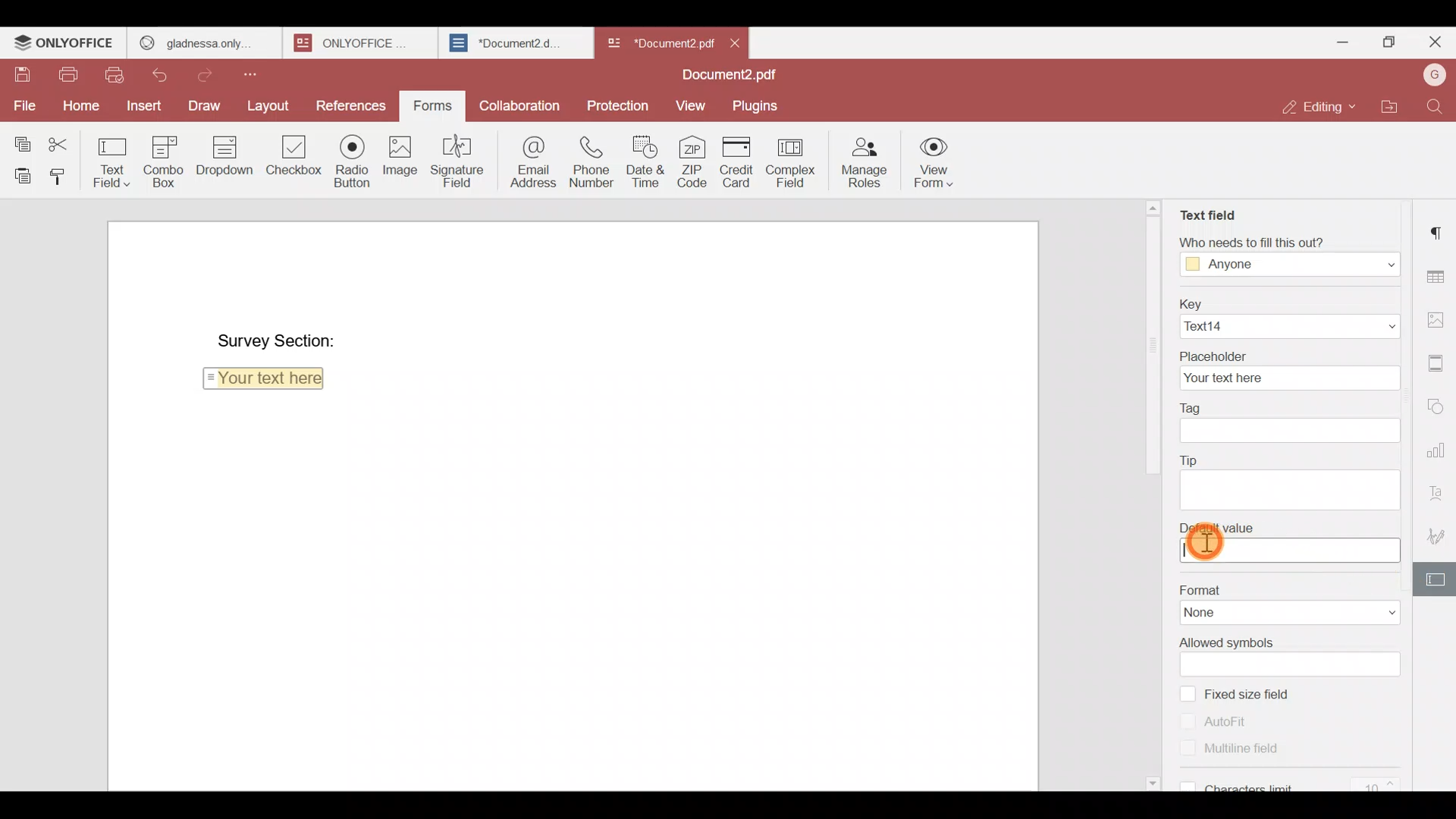  What do you see at coordinates (1396, 108) in the screenshot?
I see `Open file location` at bounding box center [1396, 108].